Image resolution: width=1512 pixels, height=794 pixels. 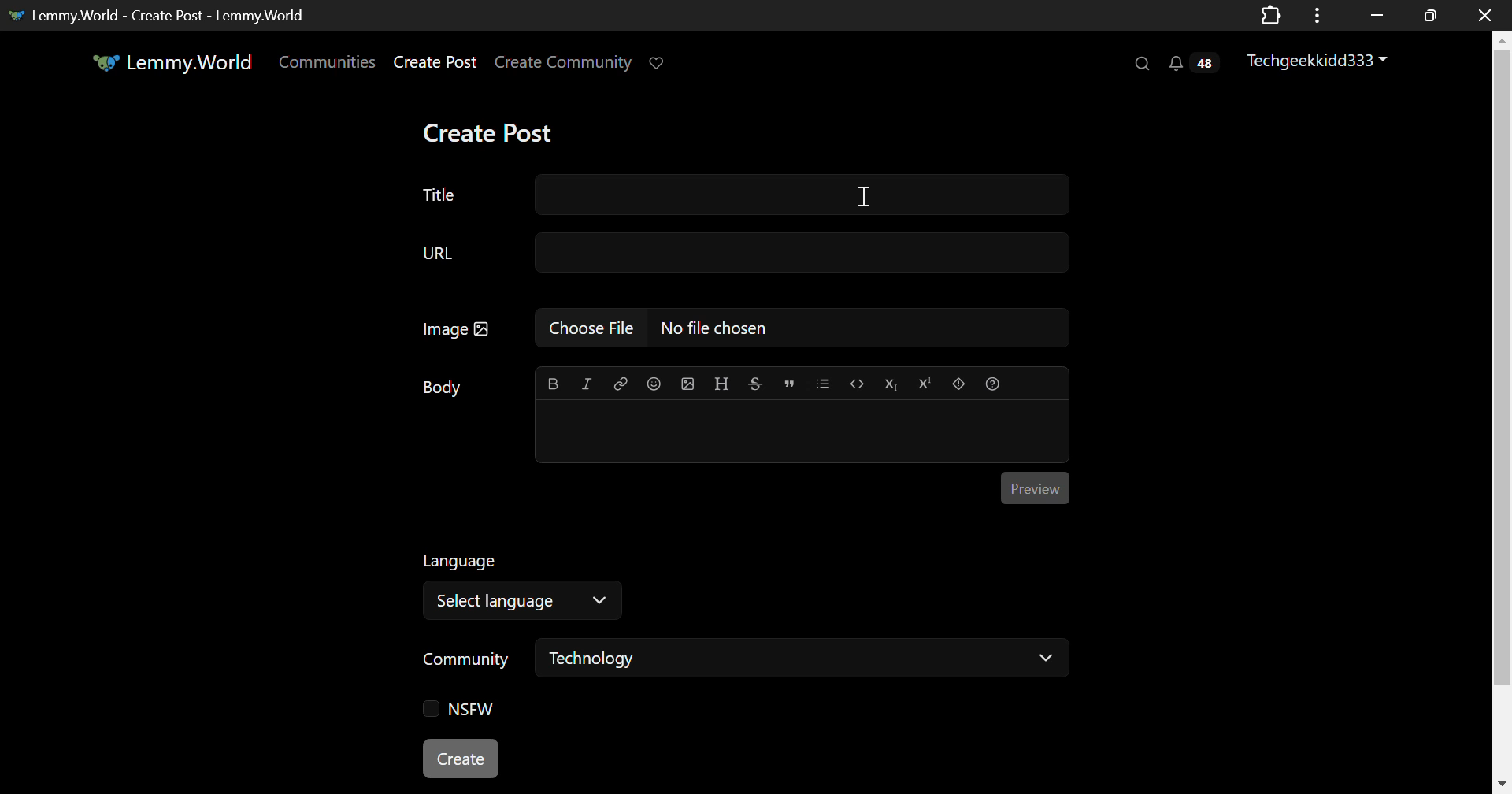 I want to click on Post Body Textbox, so click(x=802, y=432).